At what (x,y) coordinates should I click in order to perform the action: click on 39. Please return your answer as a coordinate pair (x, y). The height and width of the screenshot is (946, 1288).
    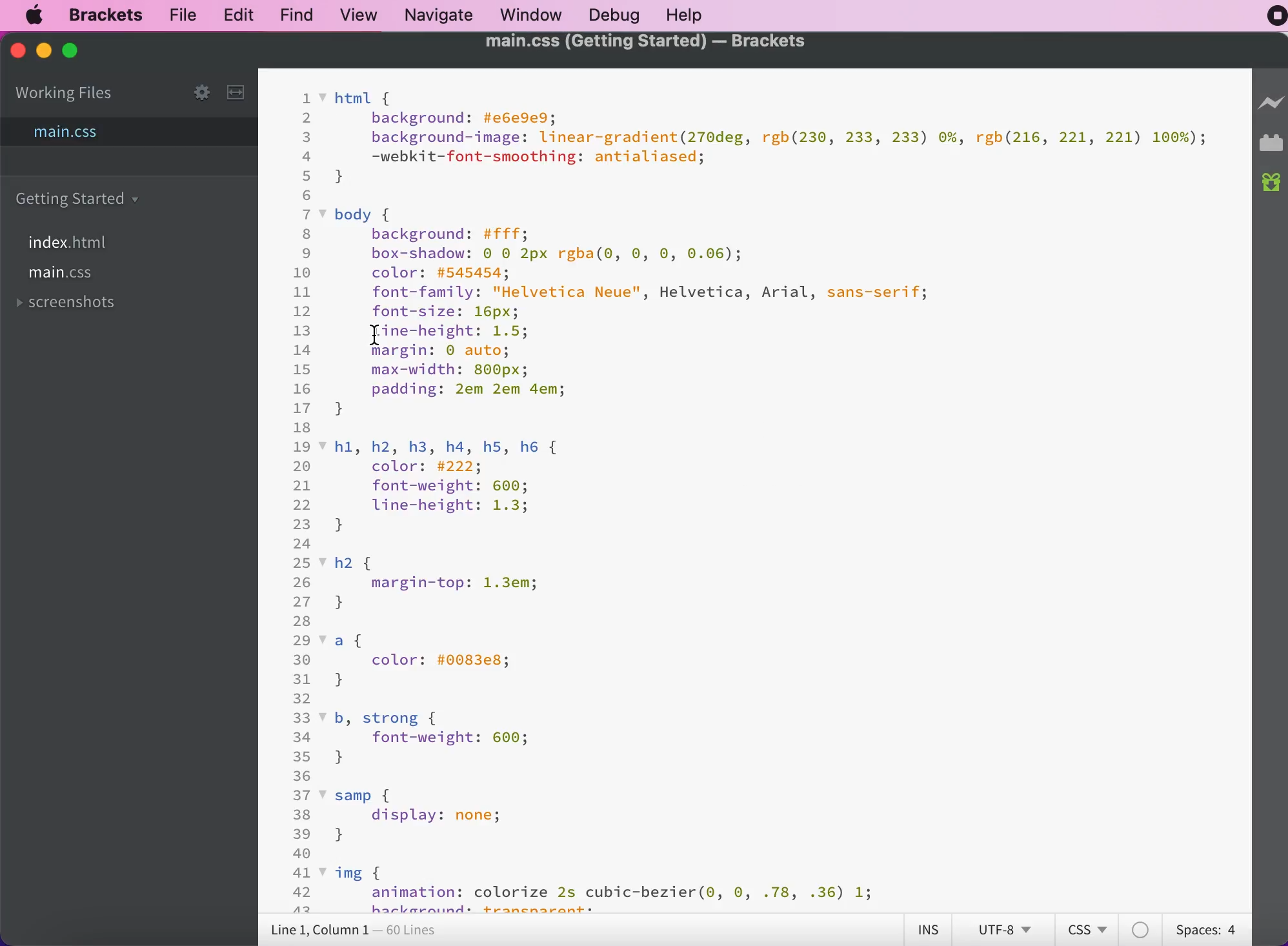
    Looking at the image, I should click on (301, 834).